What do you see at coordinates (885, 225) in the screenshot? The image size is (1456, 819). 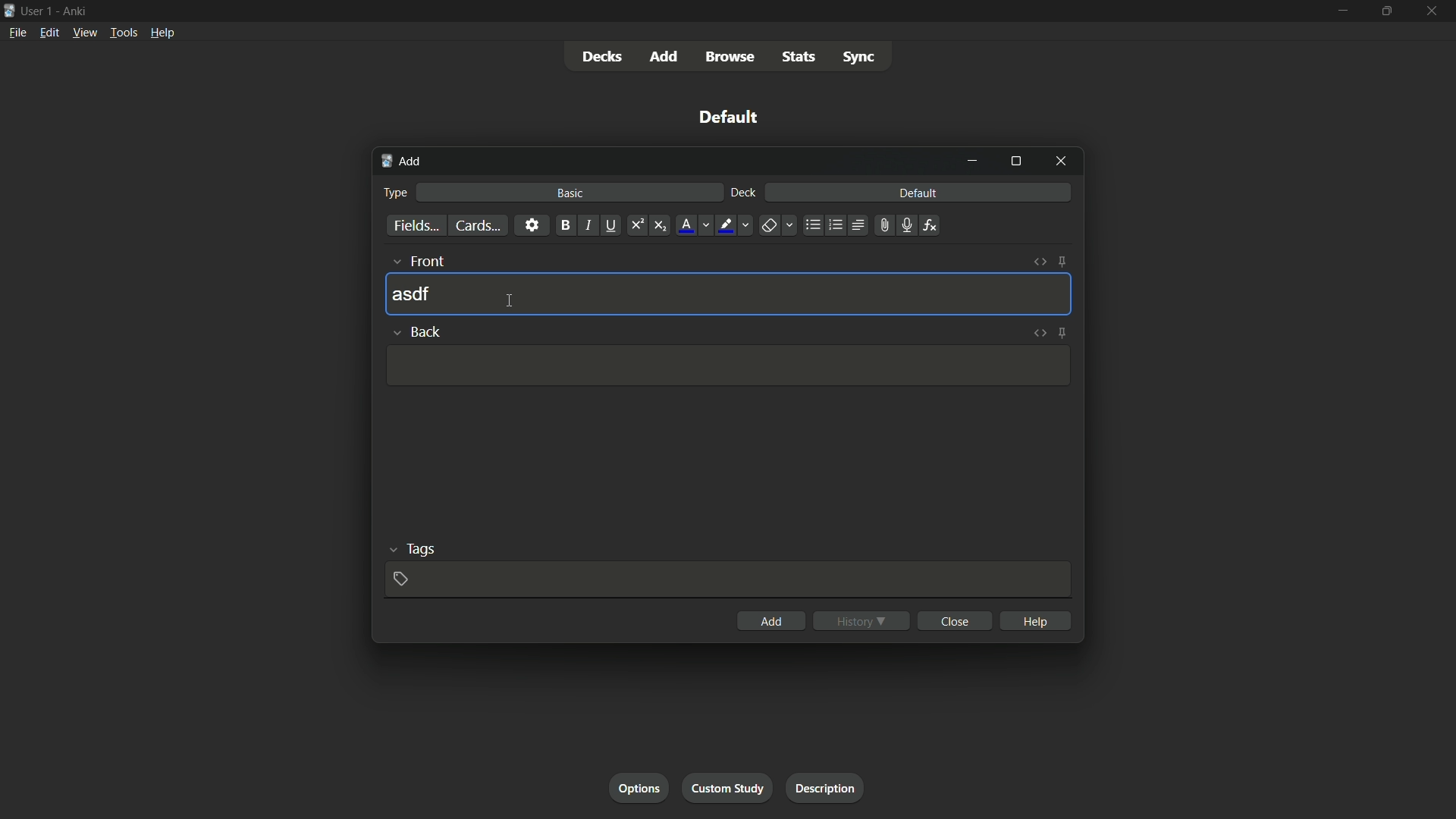 I see `attach file` at bounding box center [885, 225].